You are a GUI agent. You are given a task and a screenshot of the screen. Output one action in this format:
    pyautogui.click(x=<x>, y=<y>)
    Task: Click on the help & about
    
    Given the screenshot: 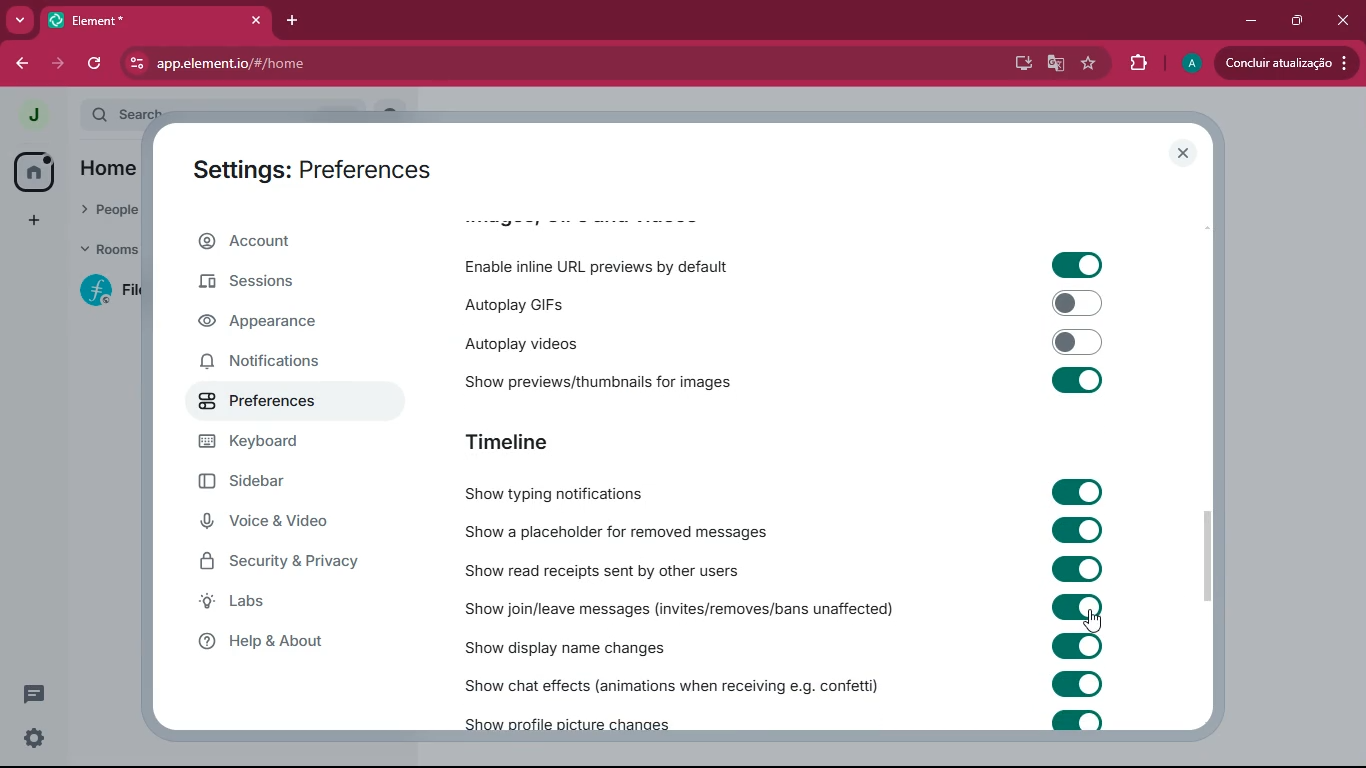 What is the action you would take?
    pyautogui.click(x=270, y=642)
    